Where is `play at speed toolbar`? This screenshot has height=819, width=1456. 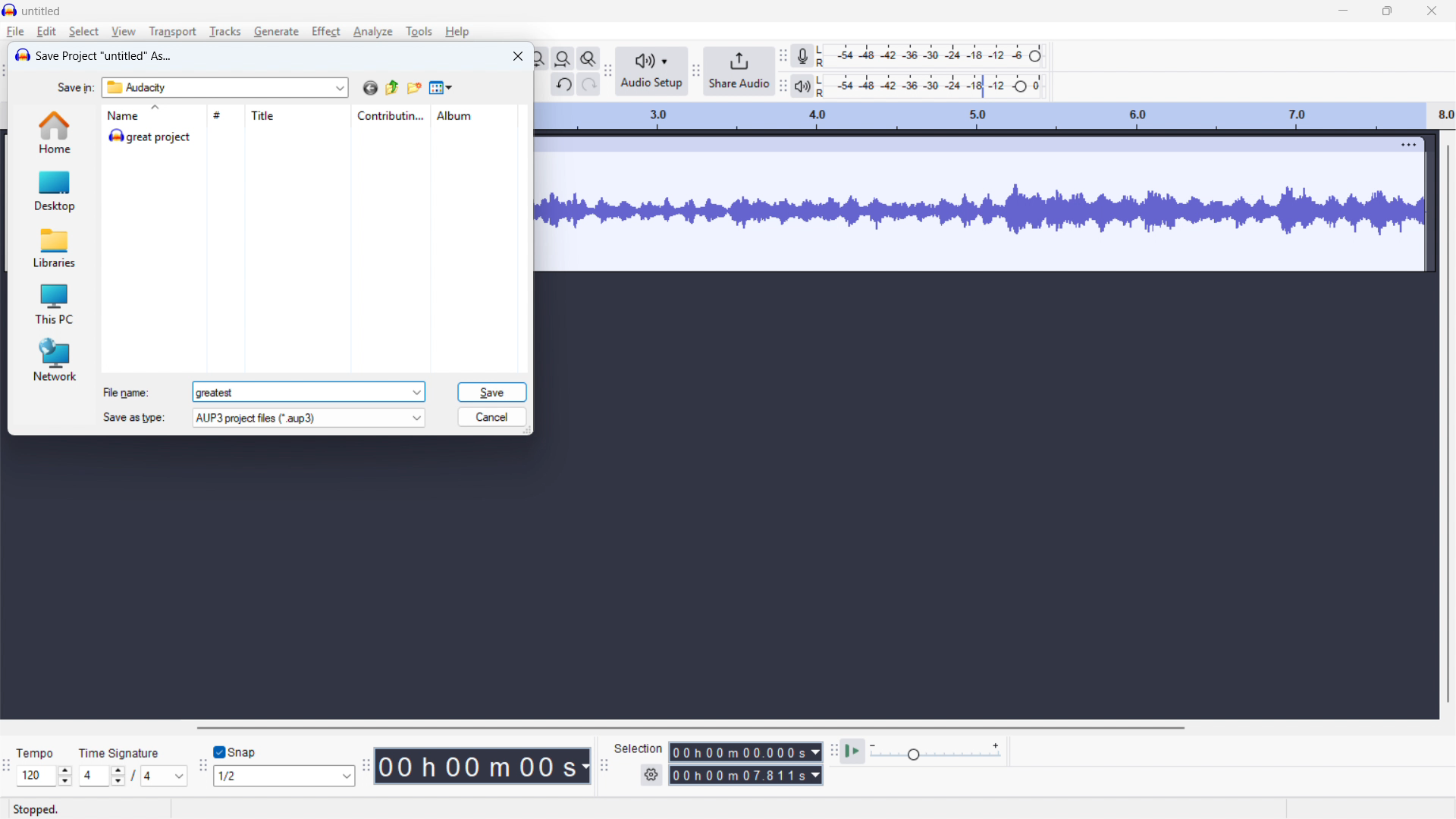
play at speed toolbar is located at coordinates (832, 752).